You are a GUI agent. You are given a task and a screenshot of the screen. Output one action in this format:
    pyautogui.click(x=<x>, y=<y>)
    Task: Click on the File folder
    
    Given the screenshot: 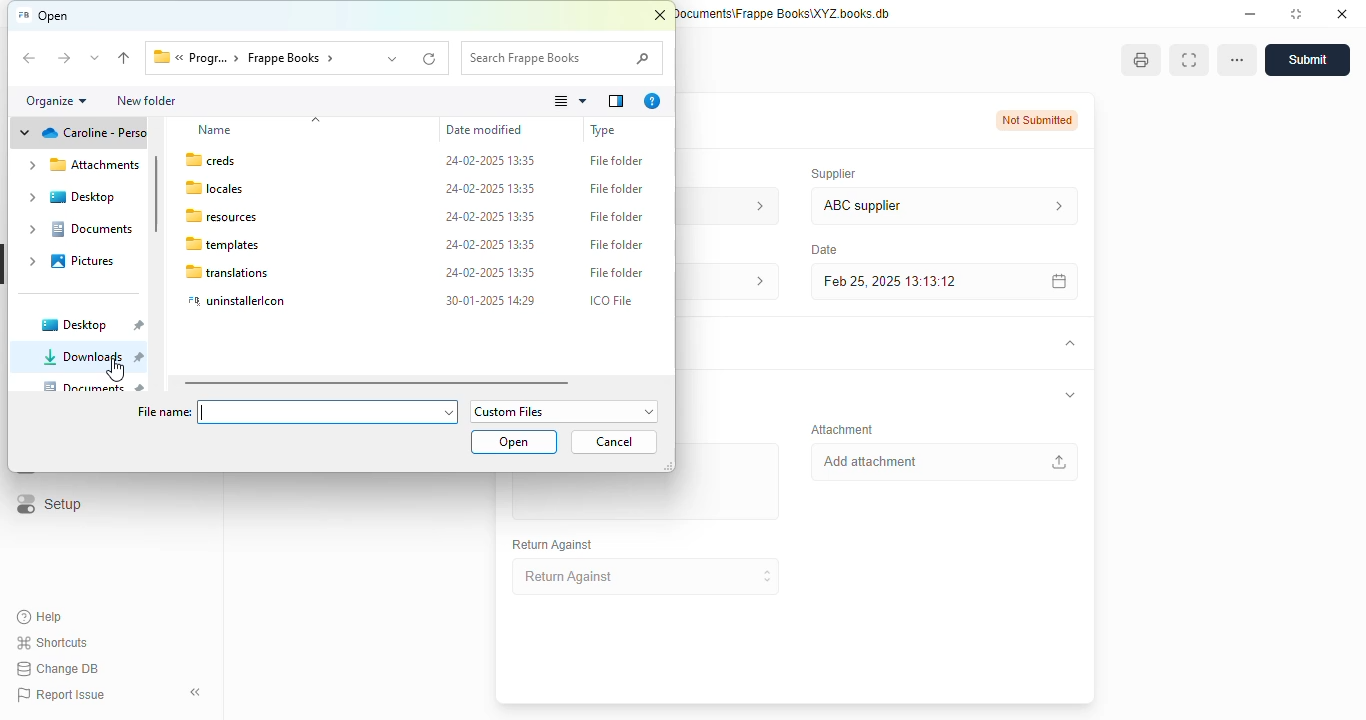 What is the action you would take?
    pyautogui.click(x=618, y=188)
    